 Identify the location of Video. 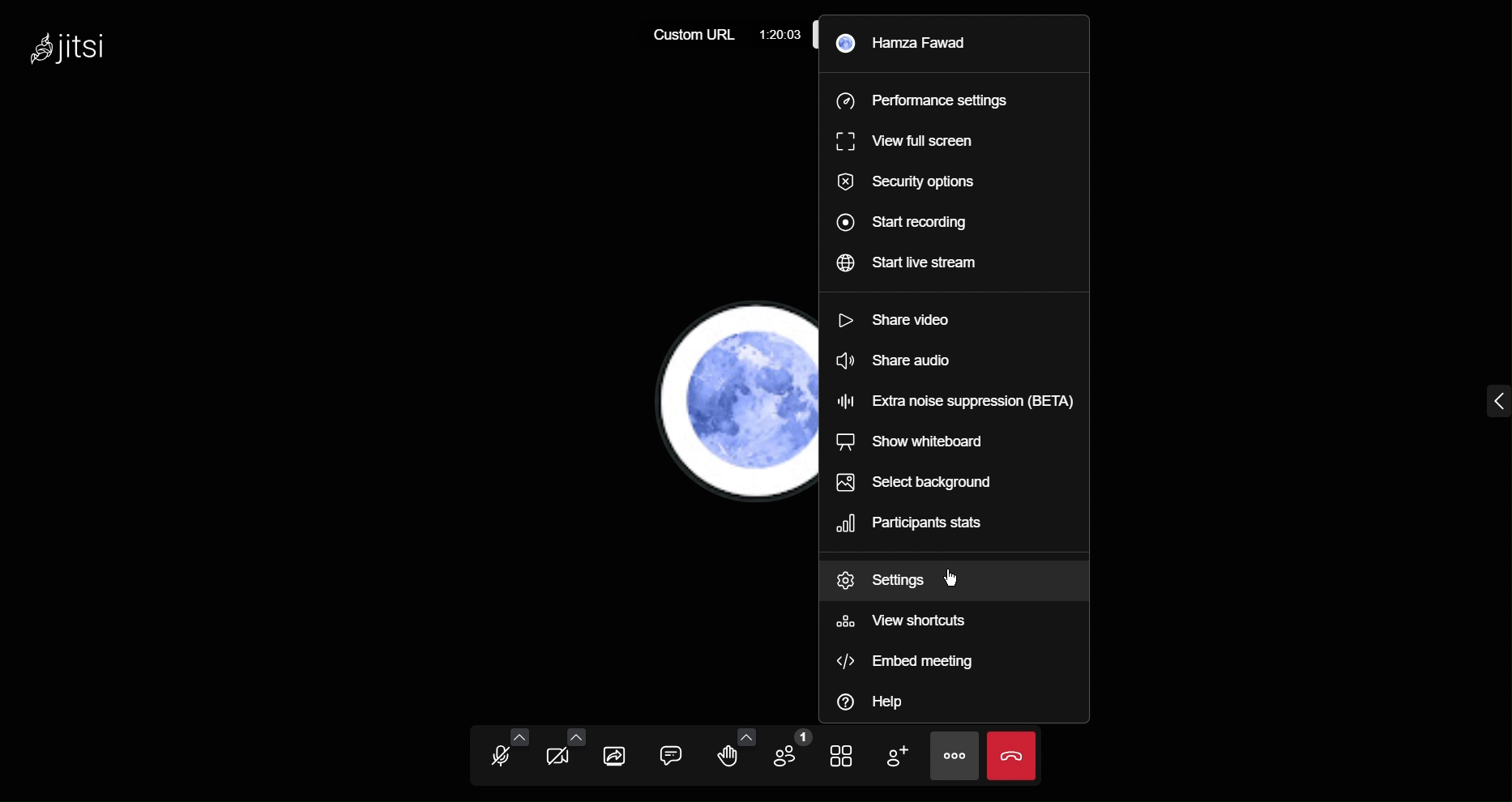
(556, 754).